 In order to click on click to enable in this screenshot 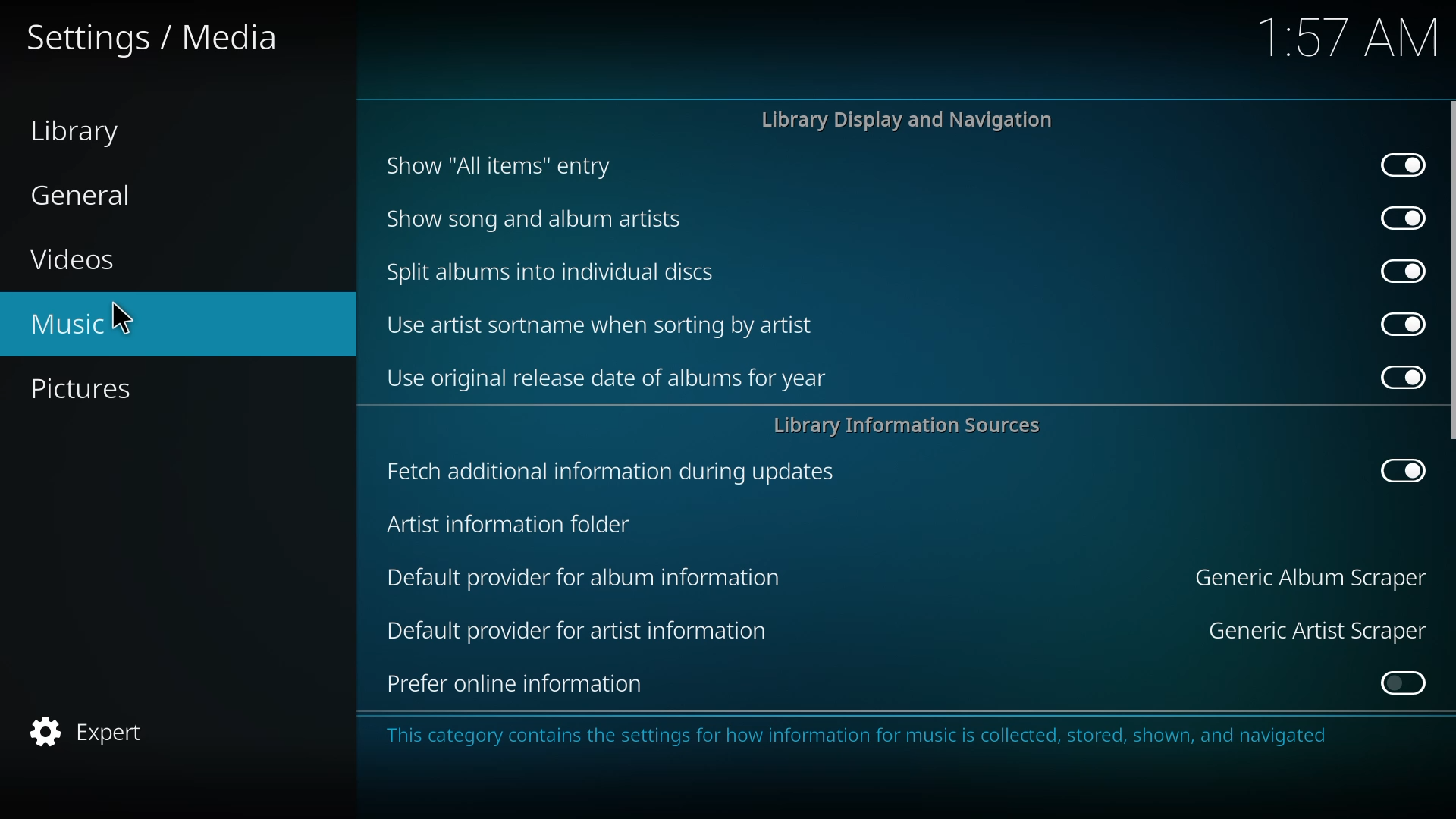, I will do `click(1397, 684)`.